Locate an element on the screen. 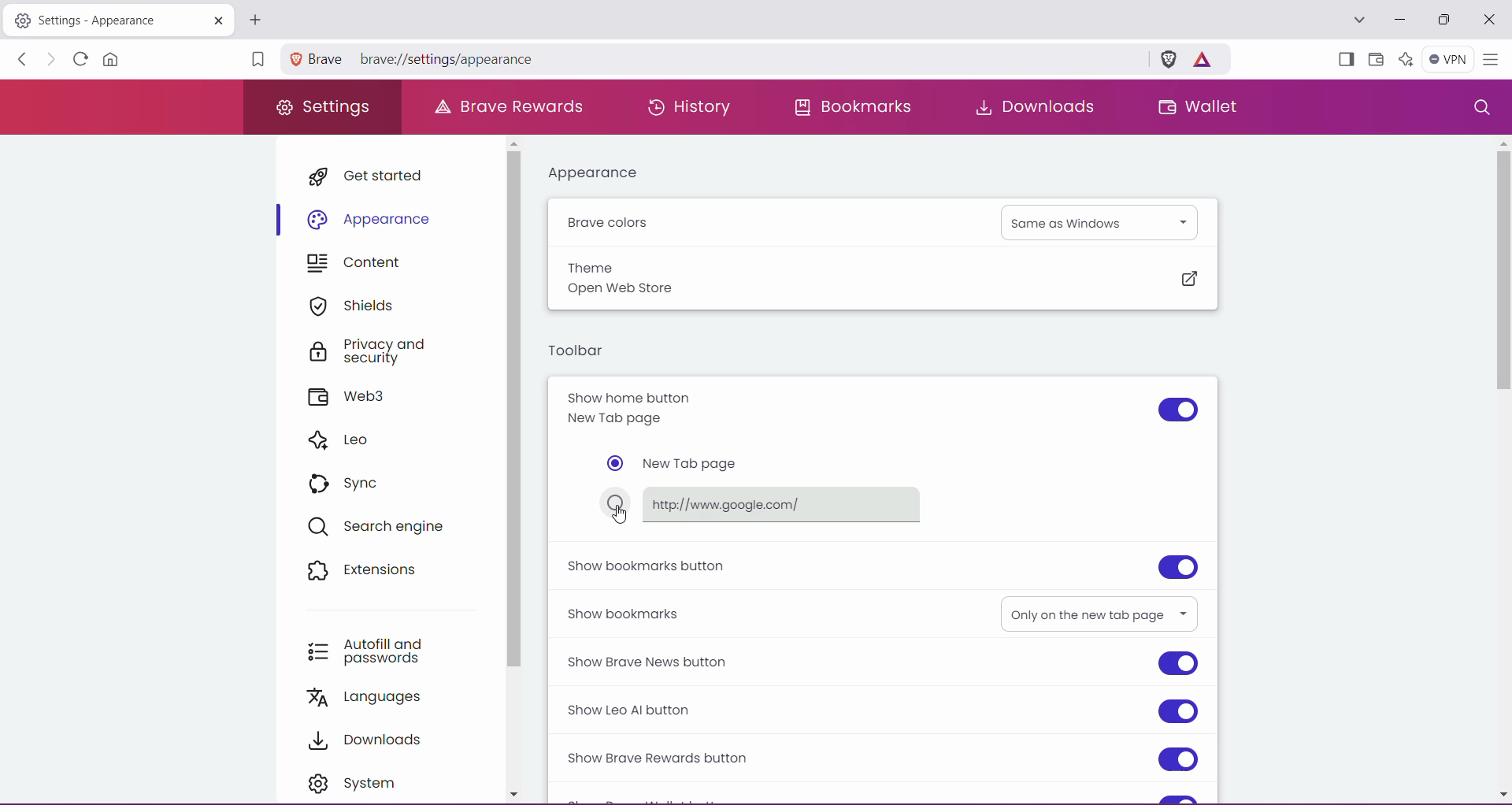  Show Sidebar is located at coordinates (1344, 61).